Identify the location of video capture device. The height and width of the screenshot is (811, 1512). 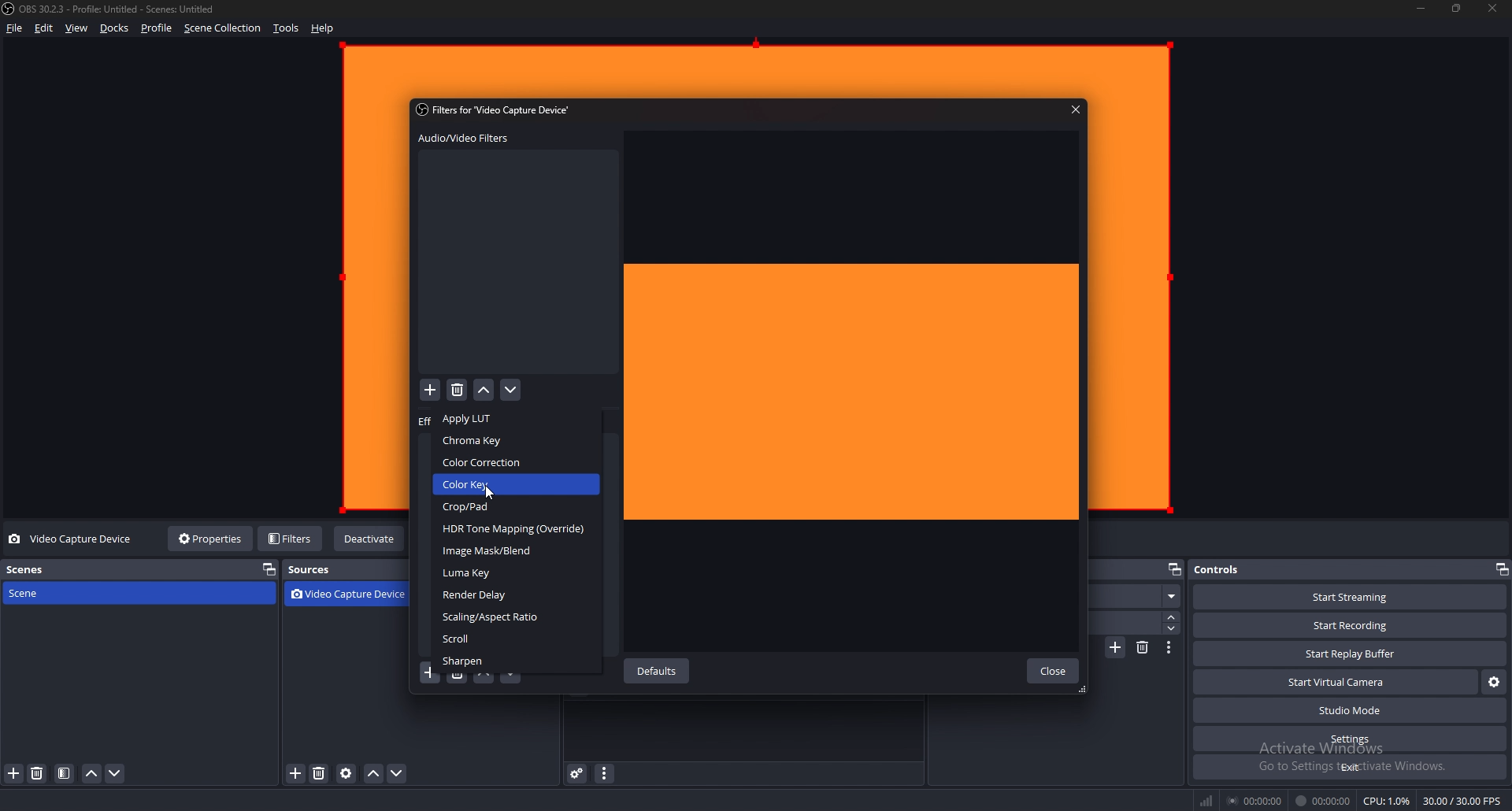
(353, 595).